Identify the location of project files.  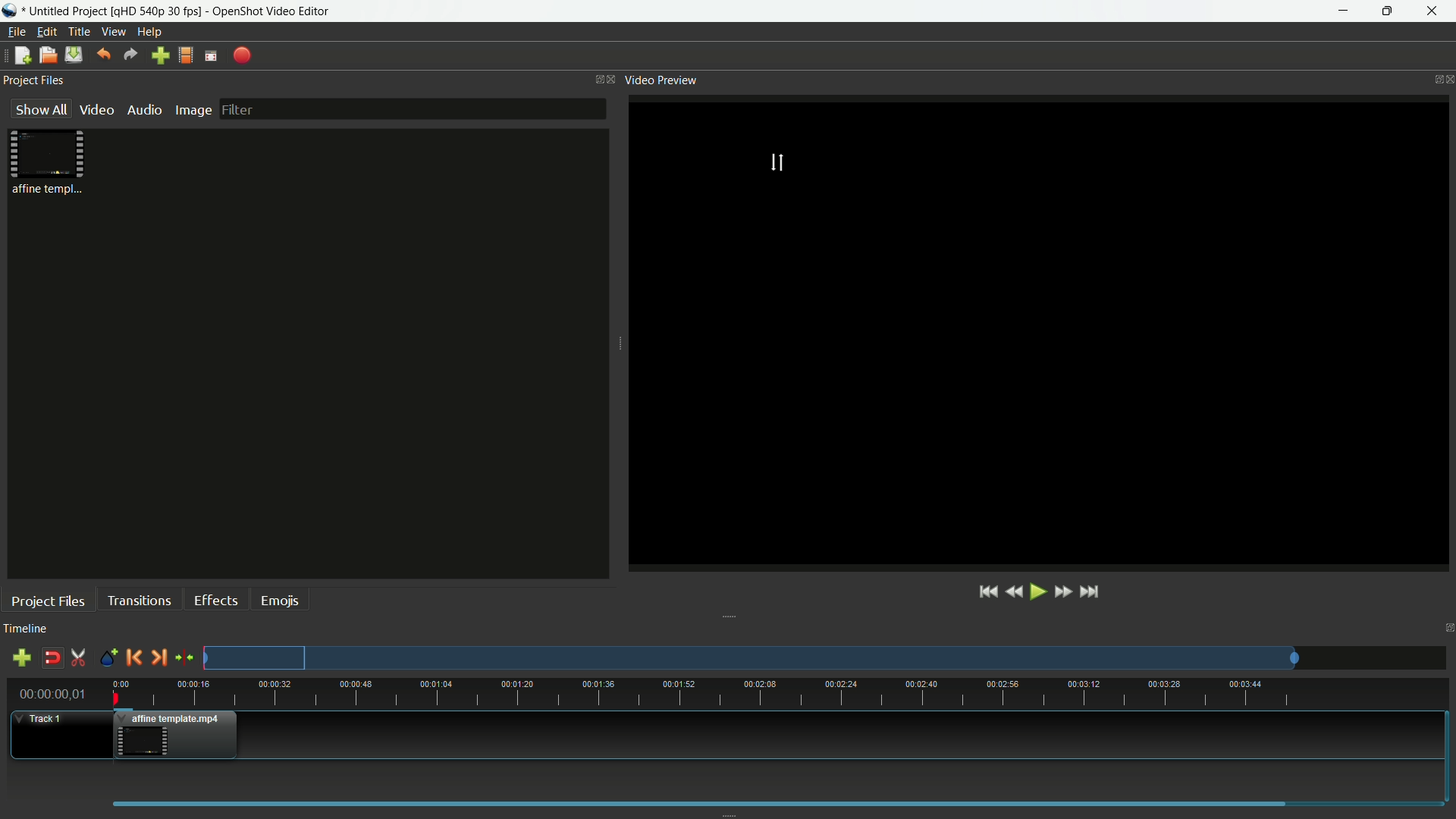
(47, 602).